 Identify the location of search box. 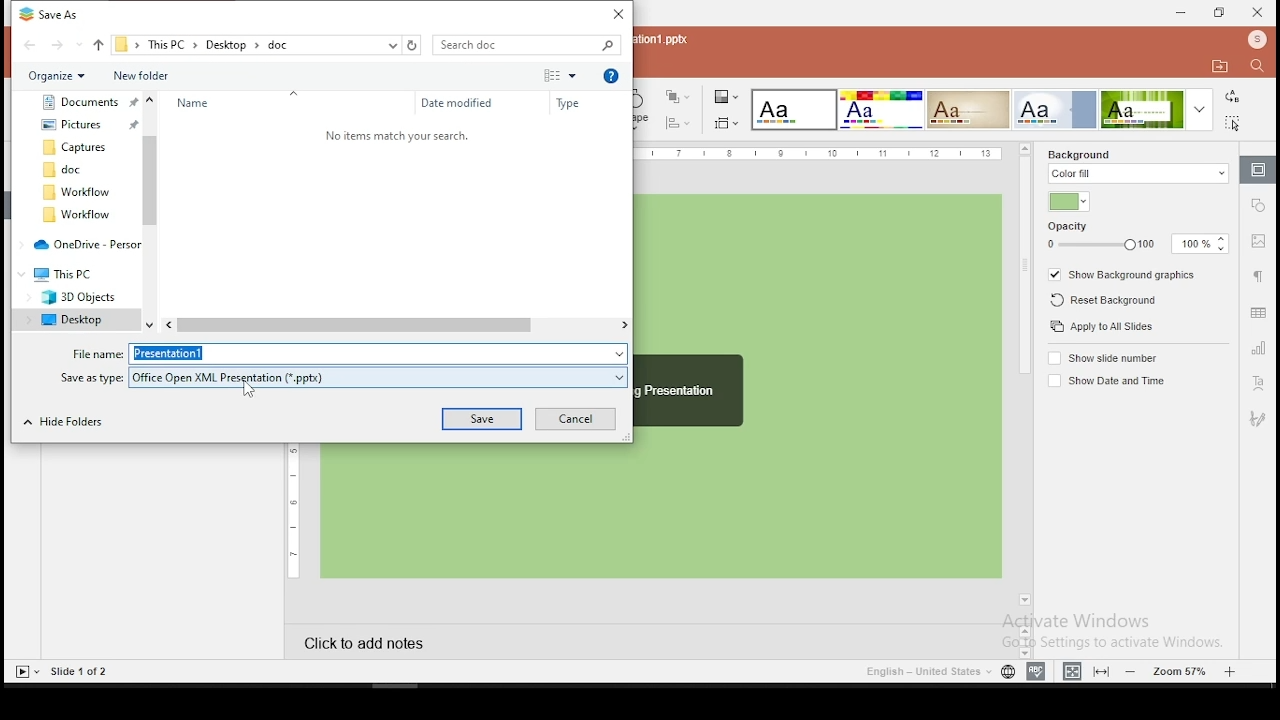
(528, 45).